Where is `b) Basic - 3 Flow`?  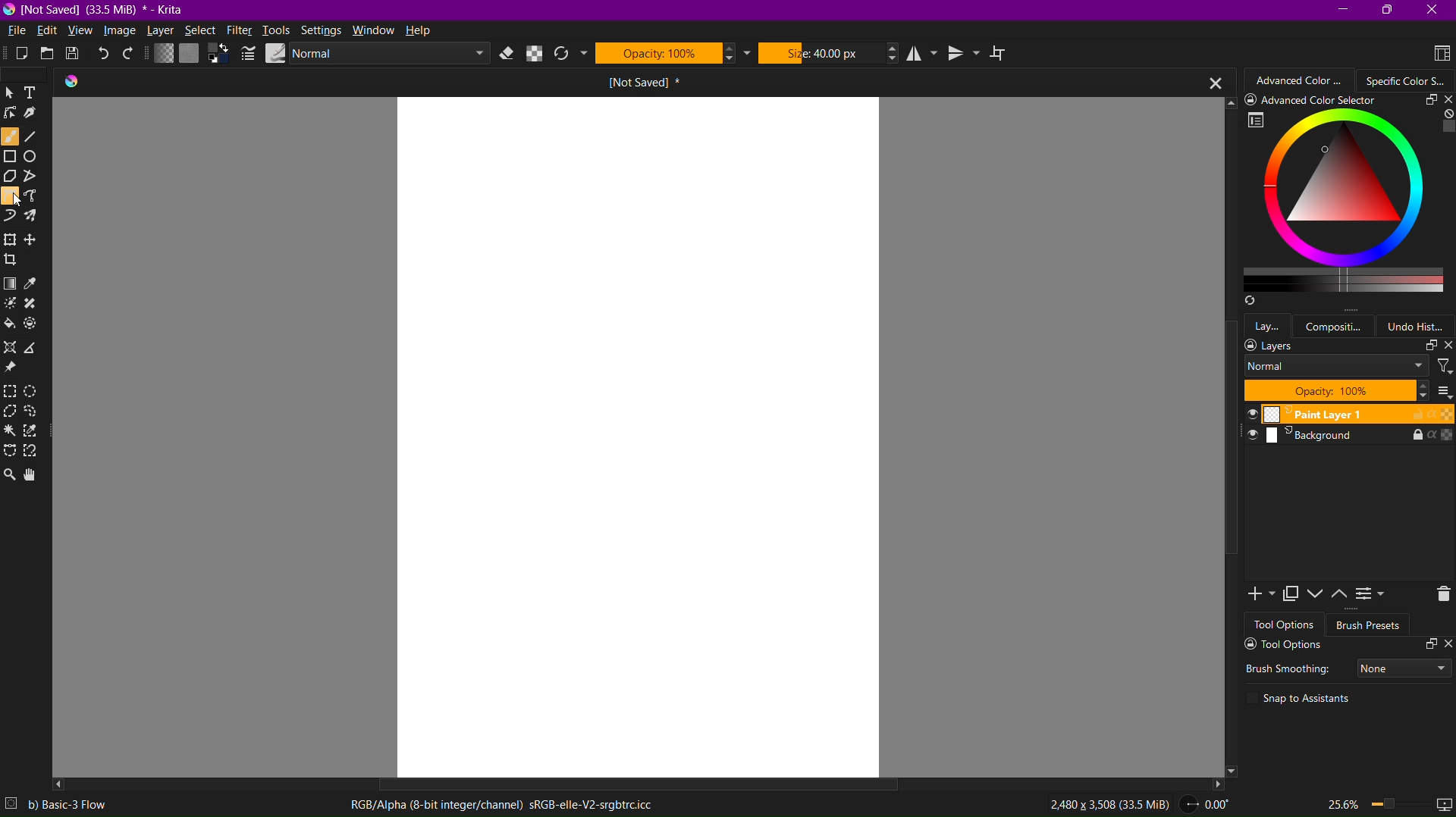 b) Basic - 3 Flow is located at coordinates (76, 805).